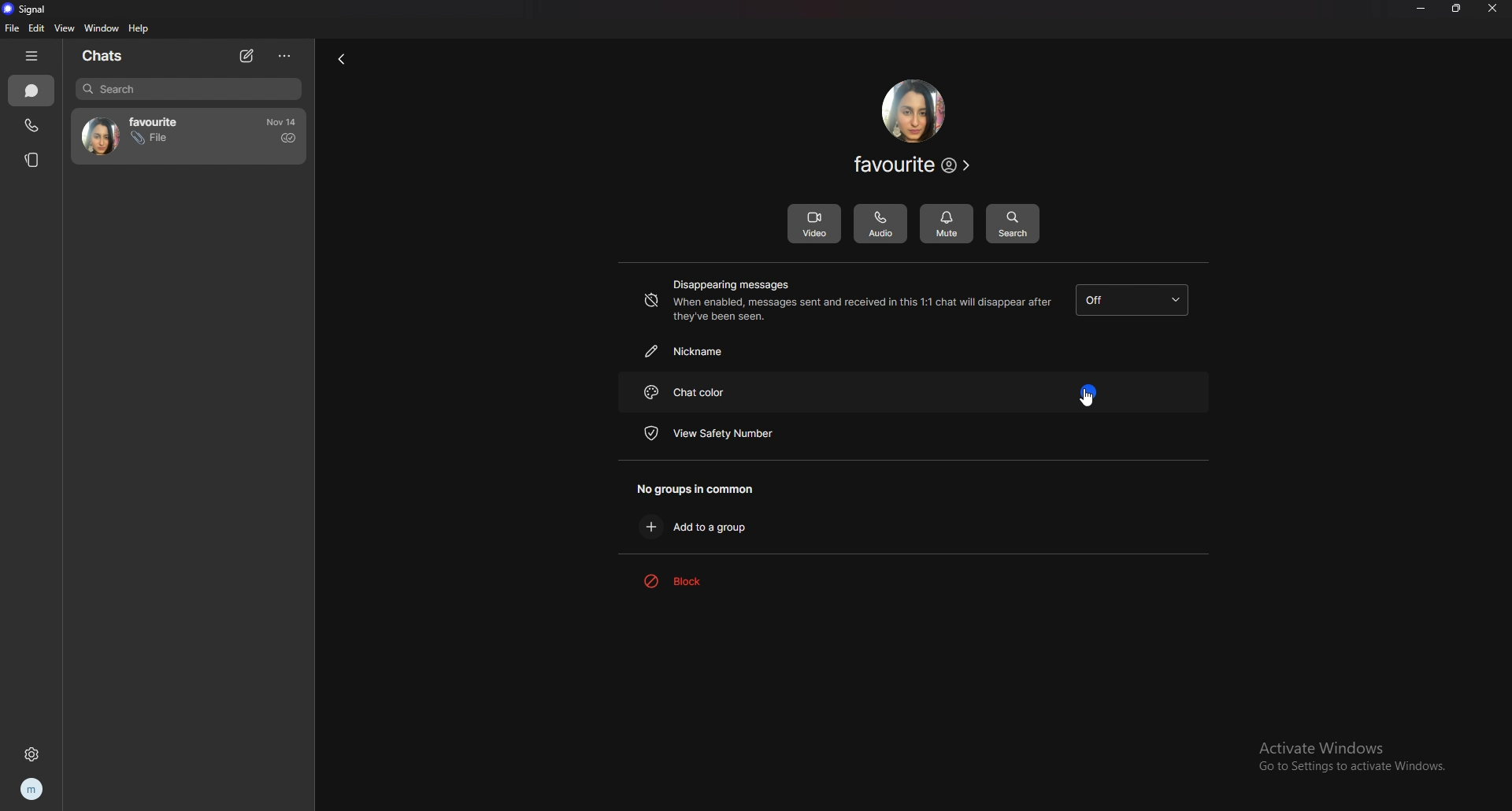  I want to click on minimize, so click(1419, 8).